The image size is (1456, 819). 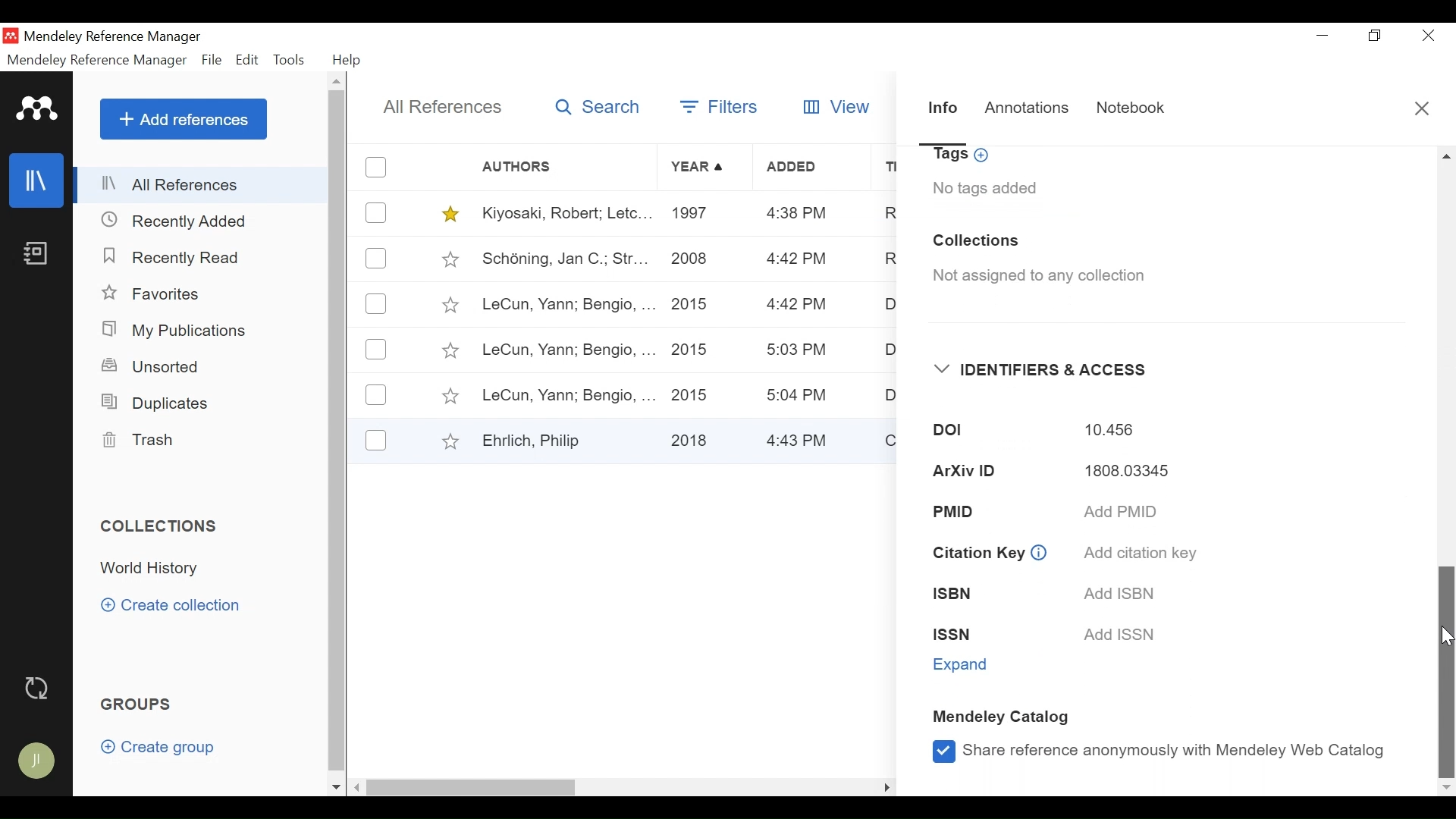 I want to click on 1997, so click(x=693, y=215).